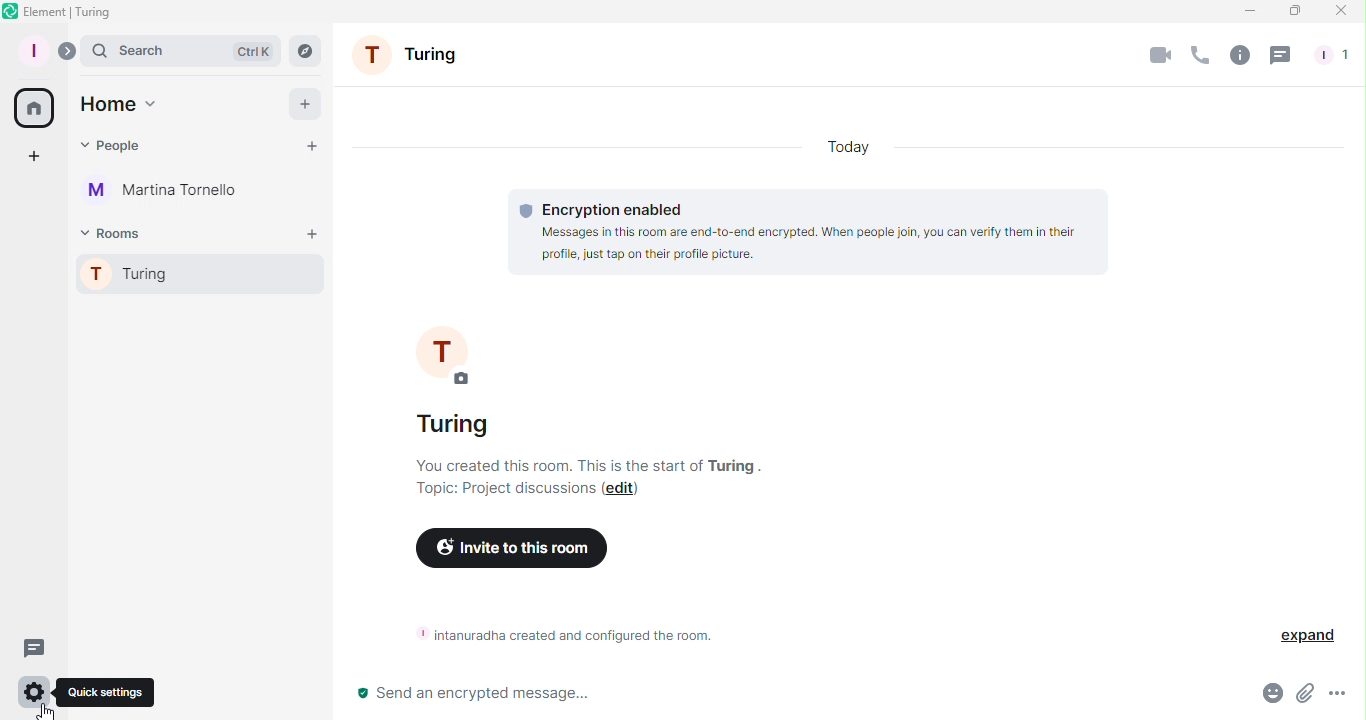  I want to click on Attachment, so click(1305, 697).